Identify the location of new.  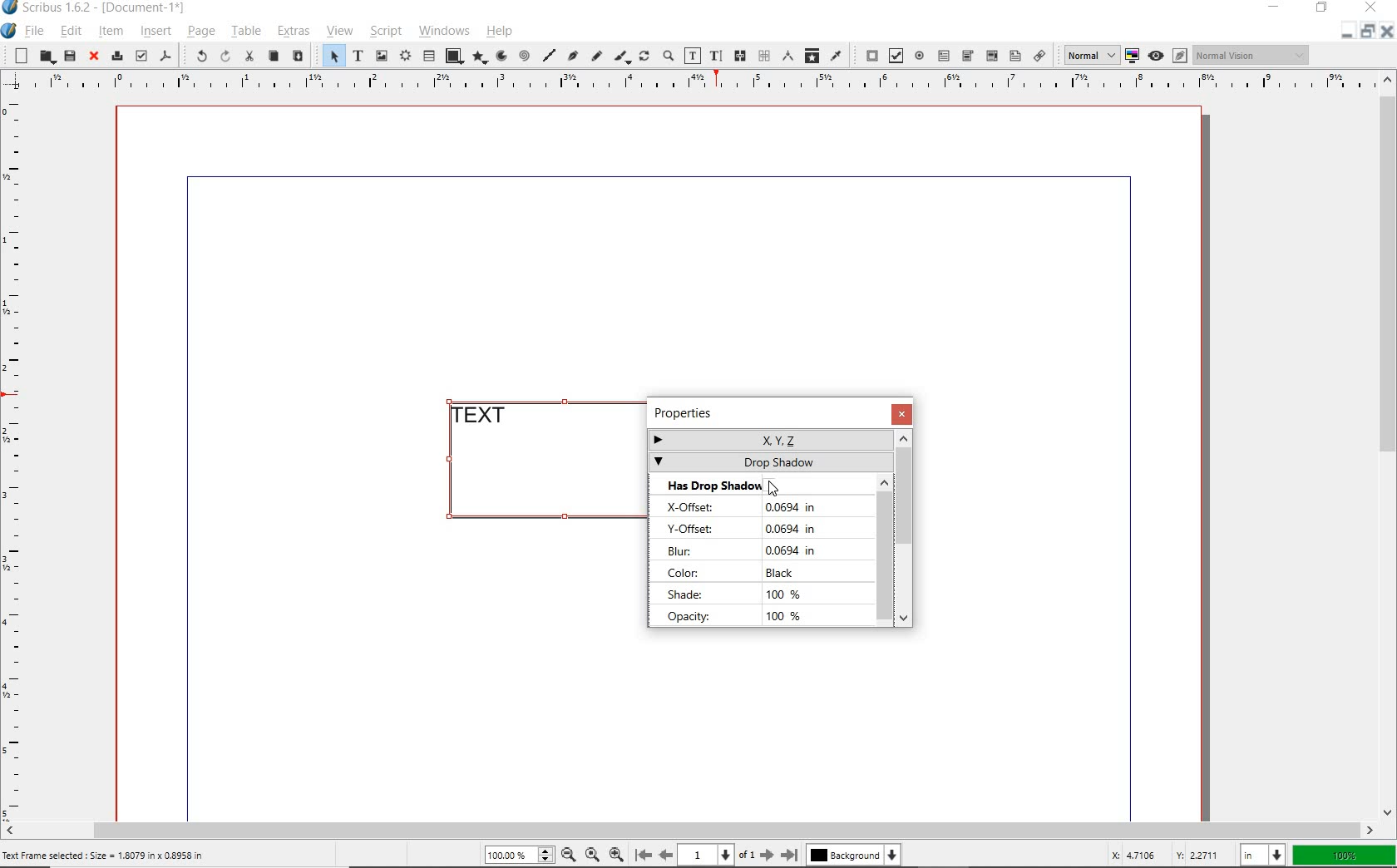
(21, 55).